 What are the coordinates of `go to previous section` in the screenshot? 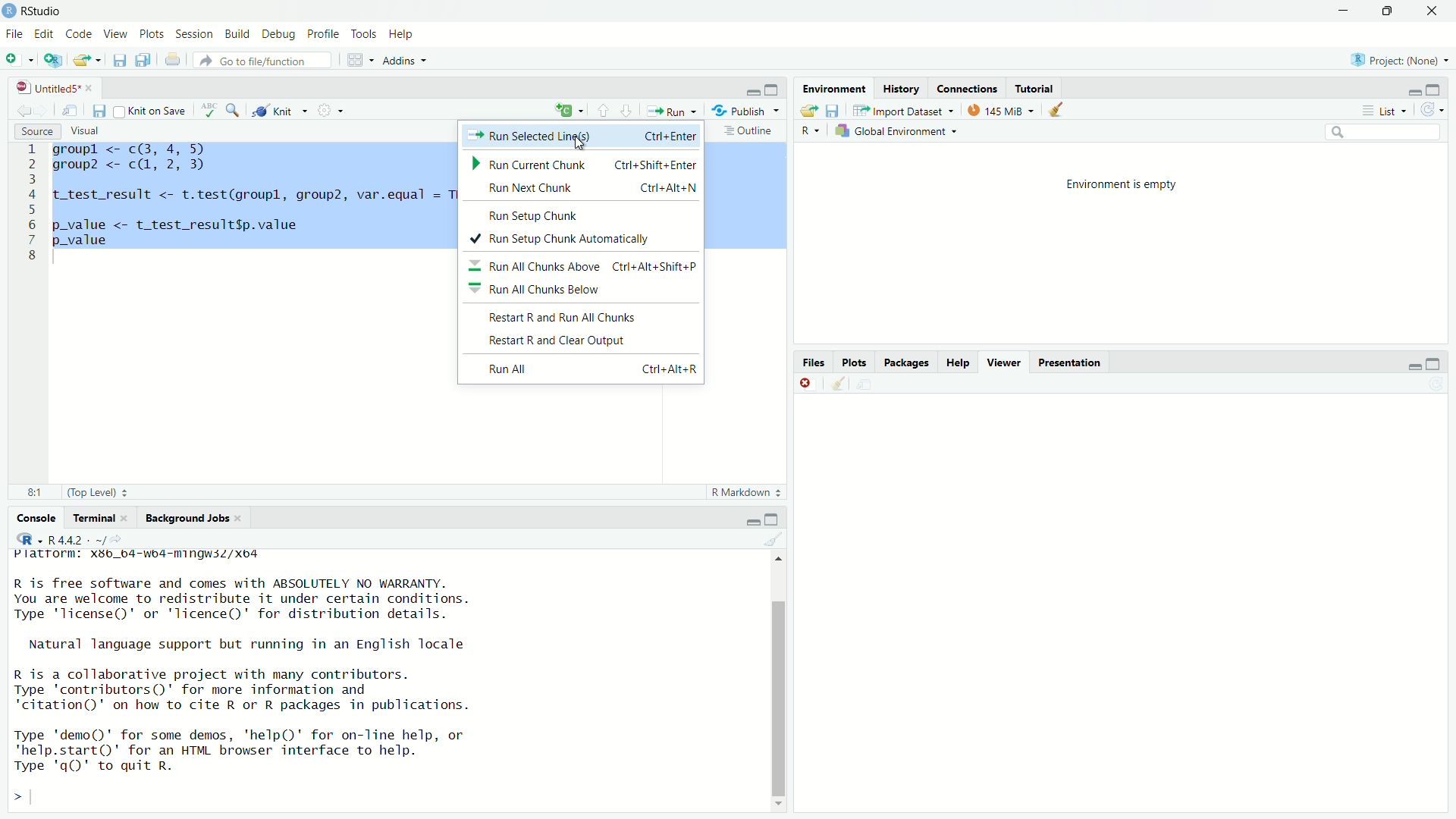 It's located at (603, 109).